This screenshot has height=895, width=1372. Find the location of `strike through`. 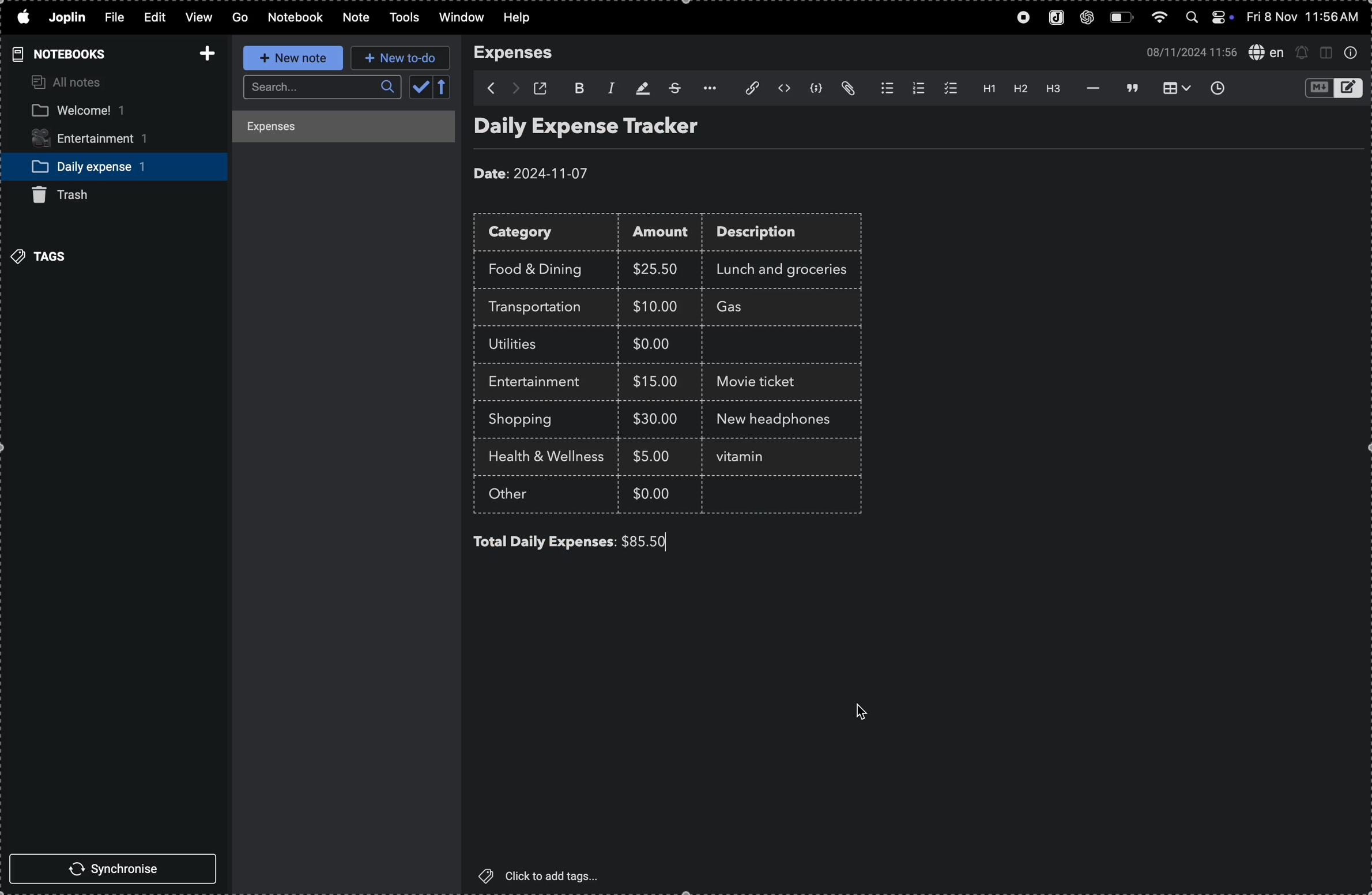

strike through is located at coordinates (673, 88).